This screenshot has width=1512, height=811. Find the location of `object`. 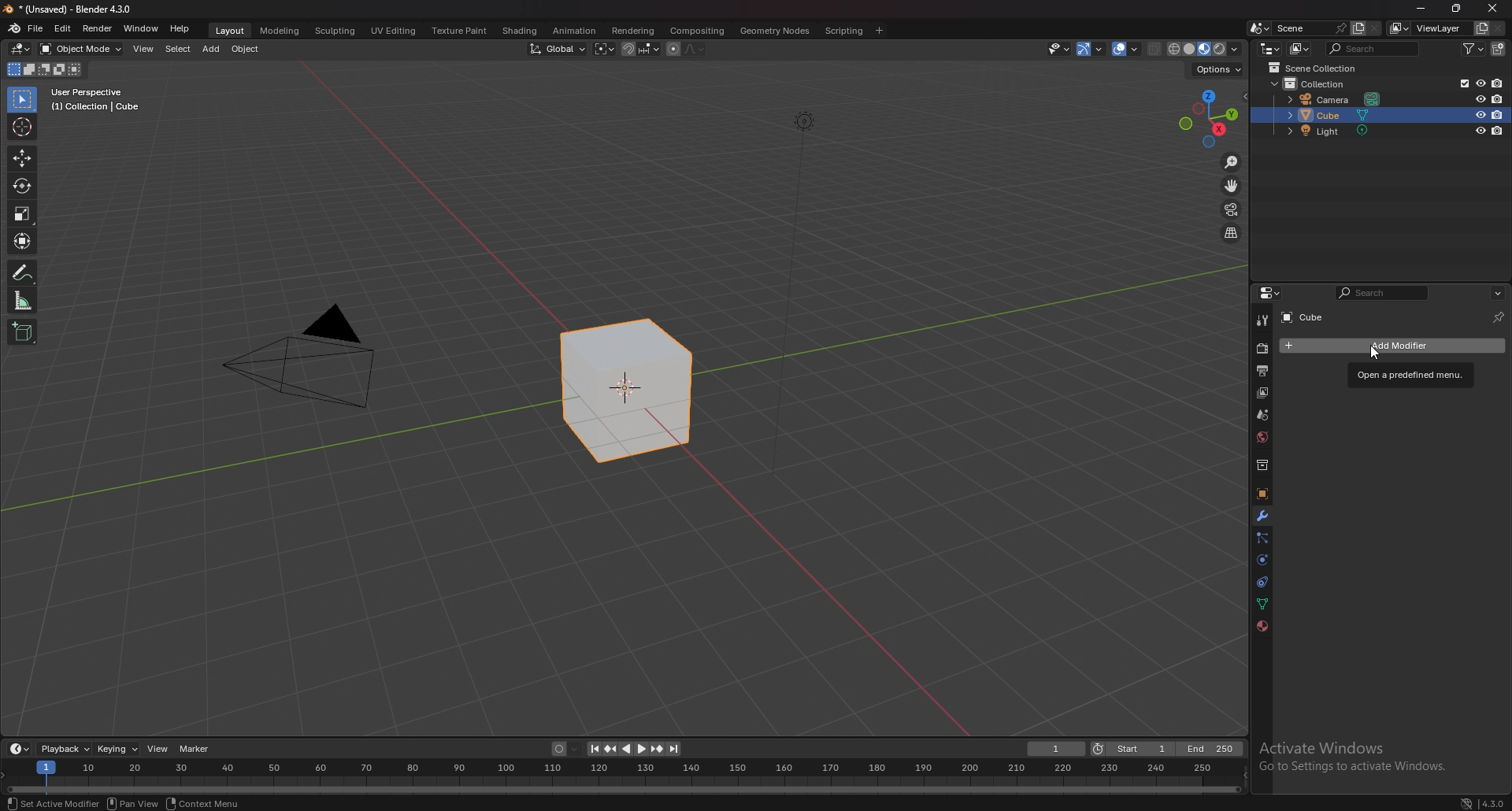

object is located at coordinates (1262, 494).